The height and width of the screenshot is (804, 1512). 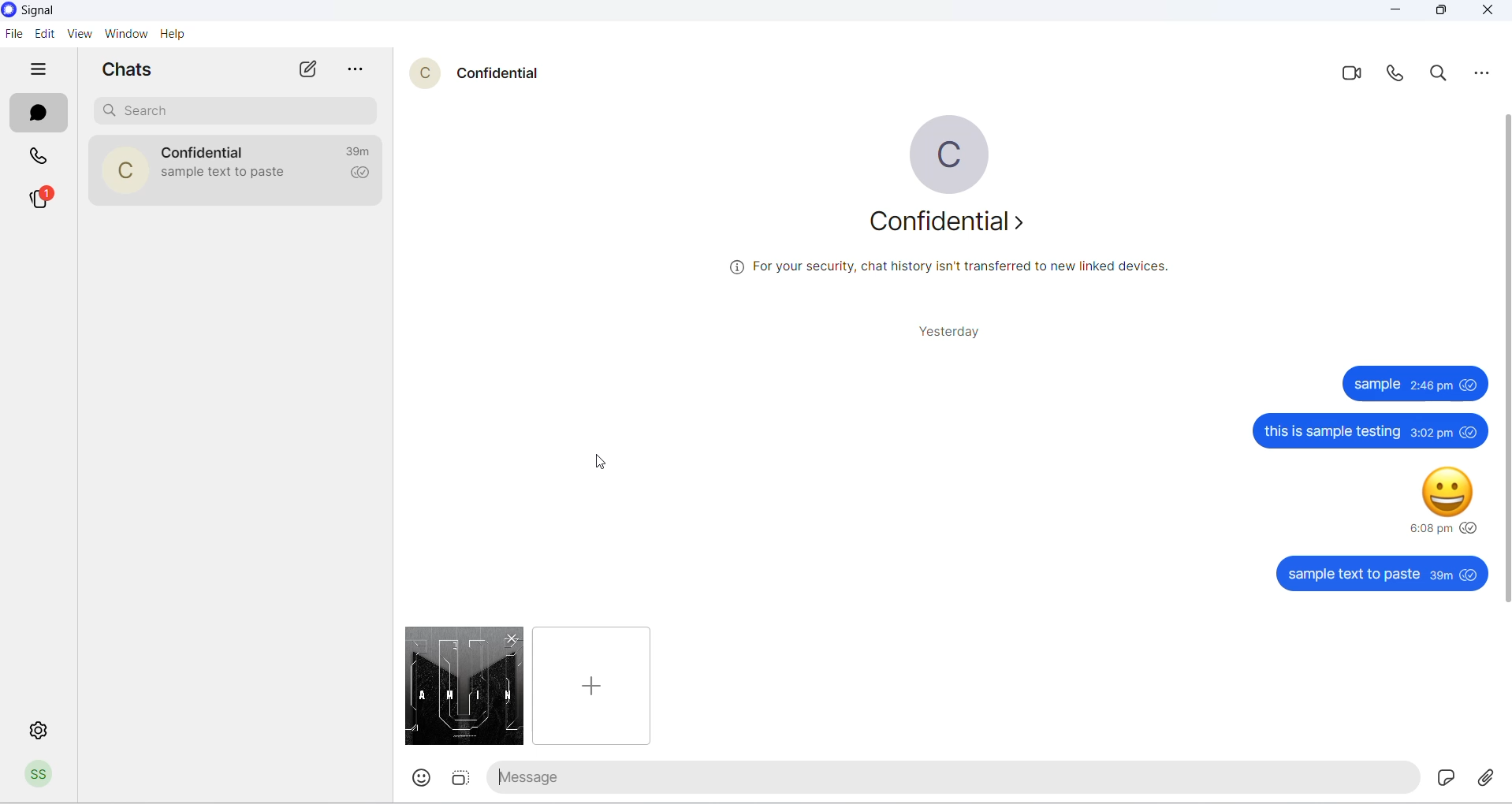 I want to click on window, so click(x=125, y=35).